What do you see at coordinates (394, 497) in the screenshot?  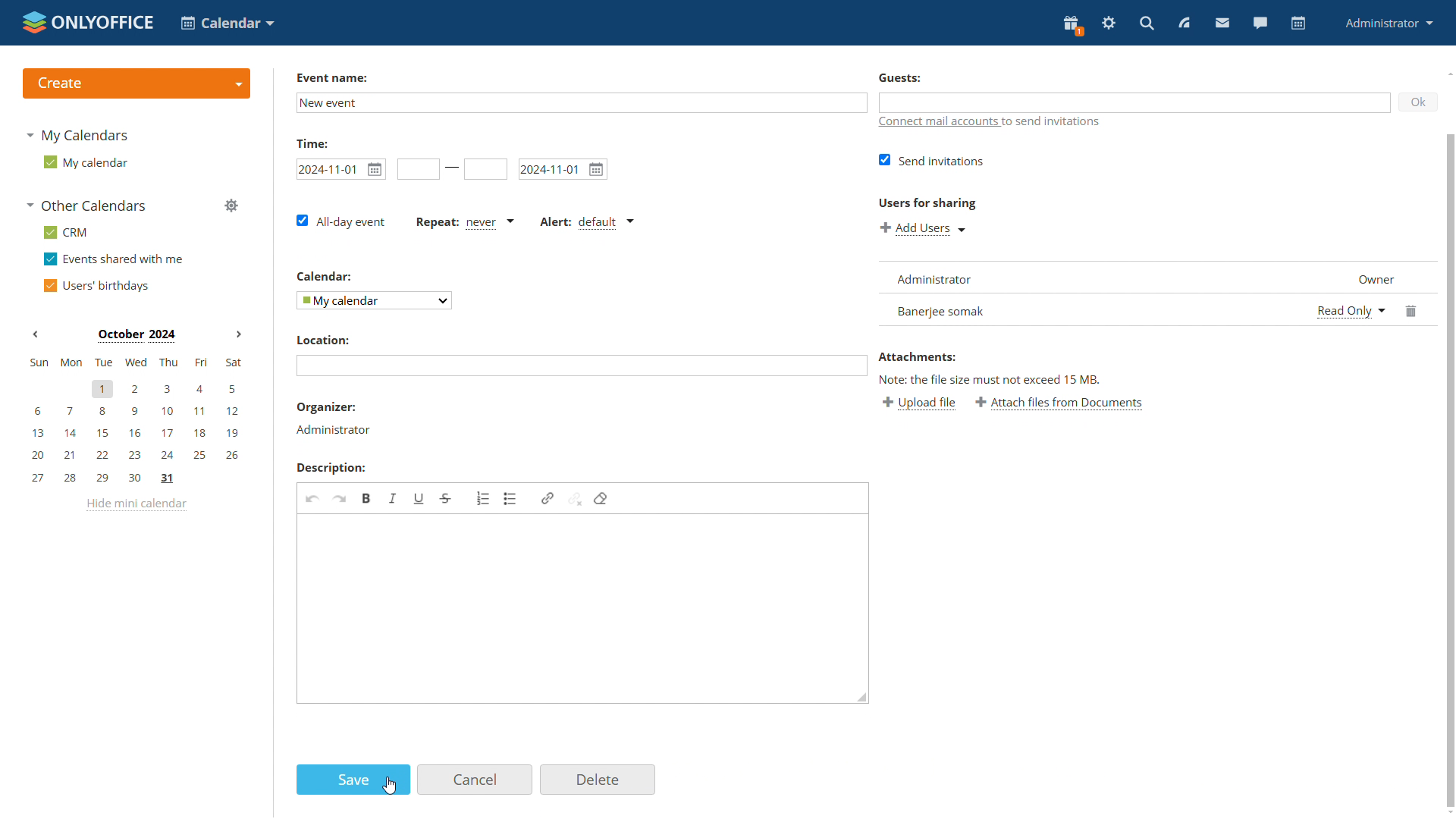 I see `italic` at bounding box center [394, 497].